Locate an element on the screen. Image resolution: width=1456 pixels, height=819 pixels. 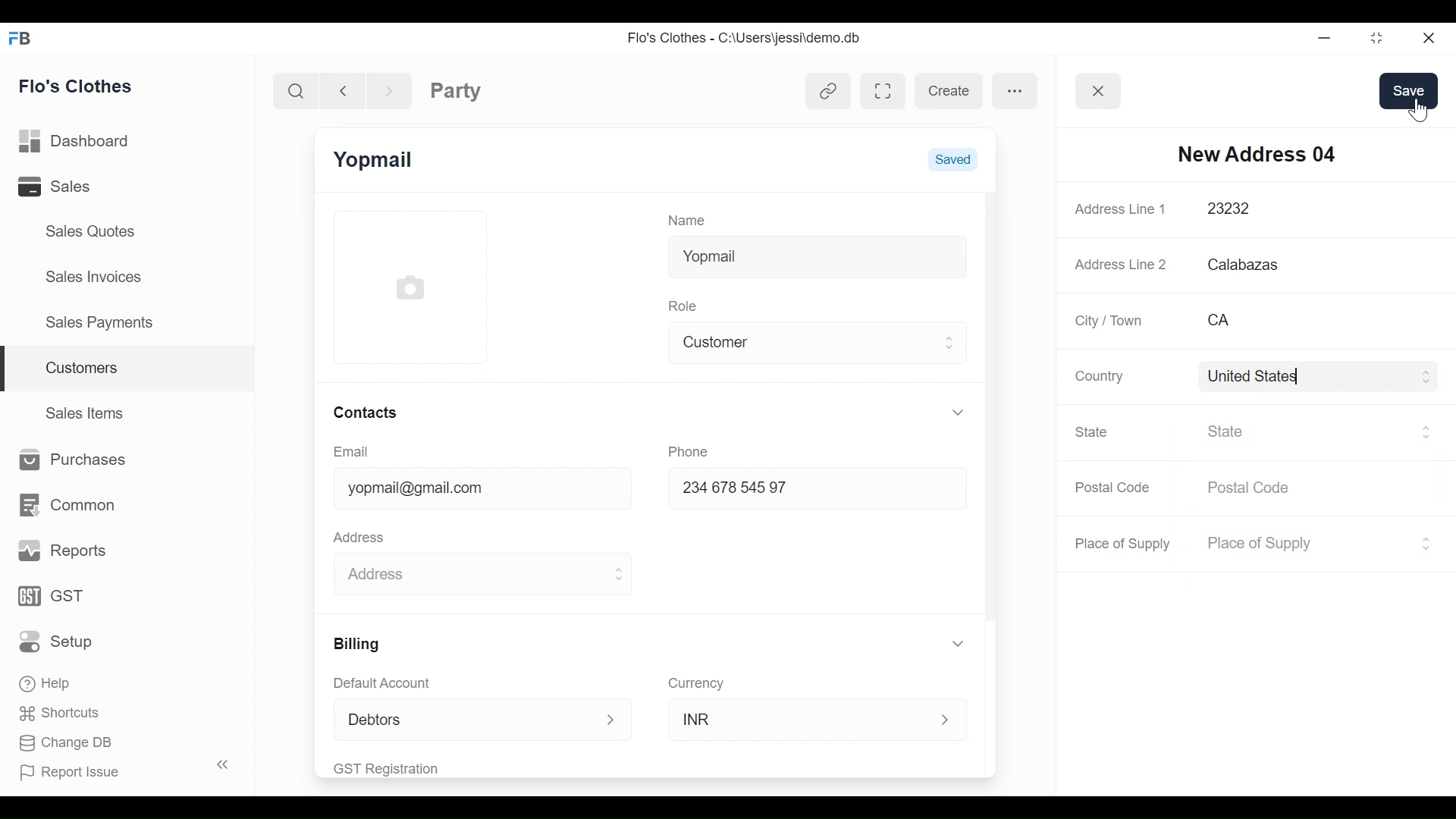
234678 54597 is located at coordinates (802, 490).